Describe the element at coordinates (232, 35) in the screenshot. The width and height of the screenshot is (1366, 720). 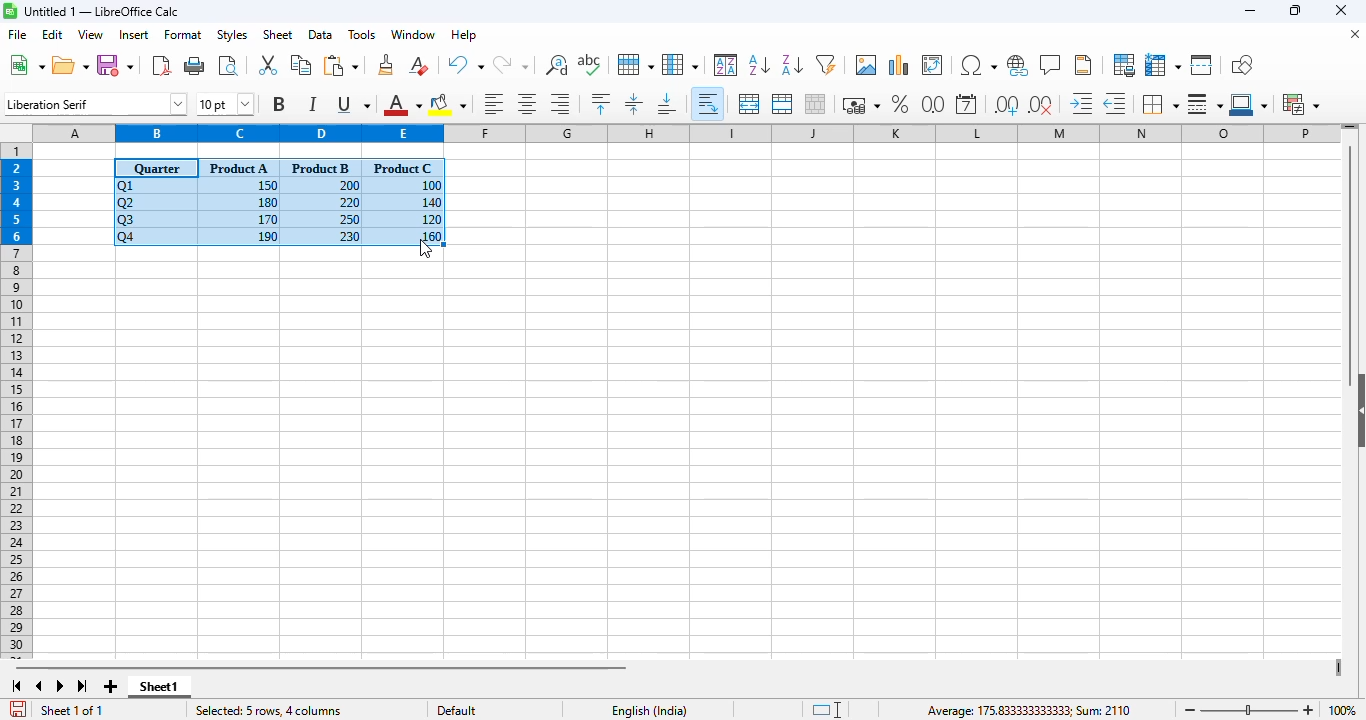
I see `styles` at that location.